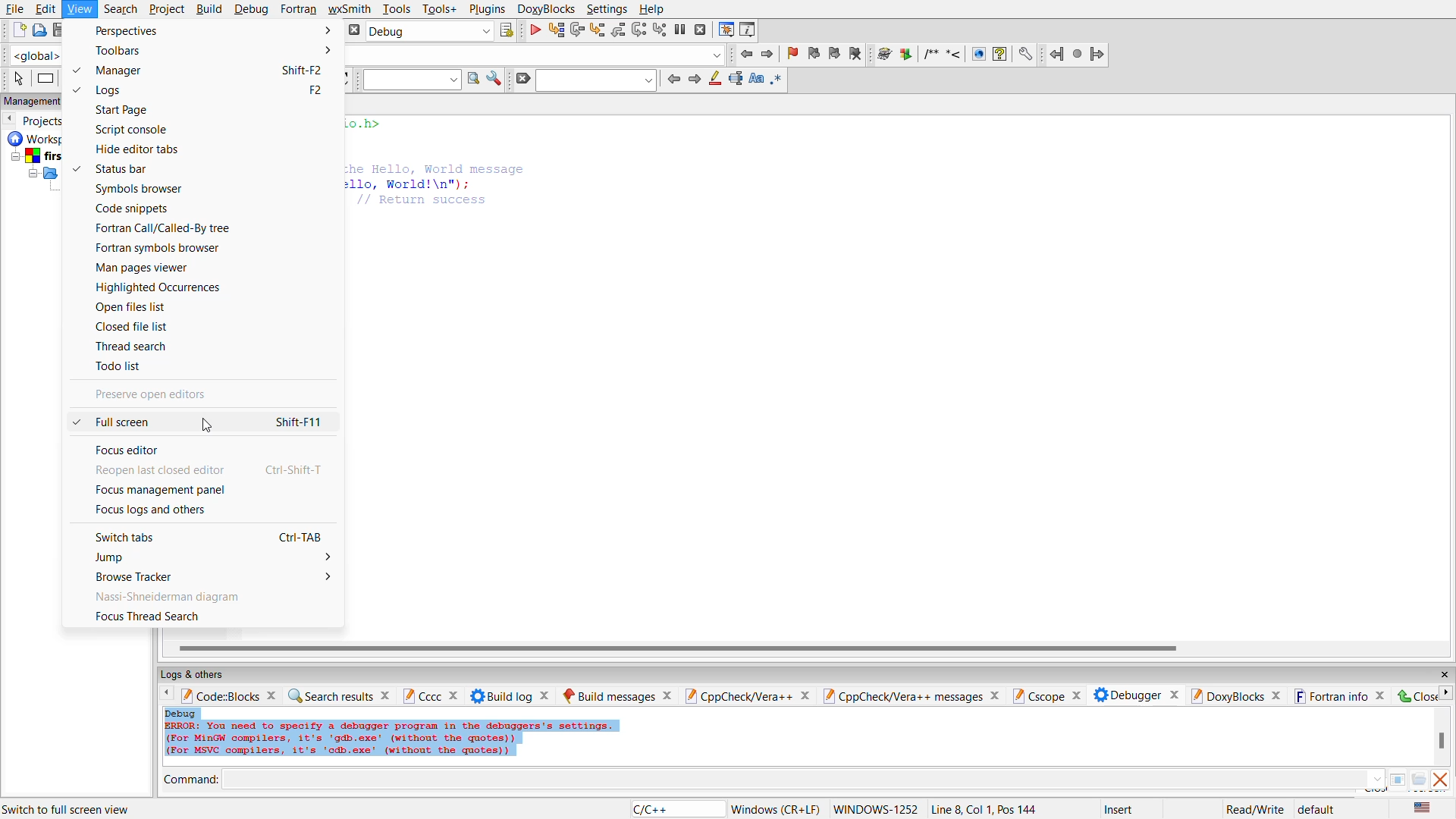  What do you see at coordinates (136, 308) in the screenshot?
I see `open files list` at bounding box center [136, 308].